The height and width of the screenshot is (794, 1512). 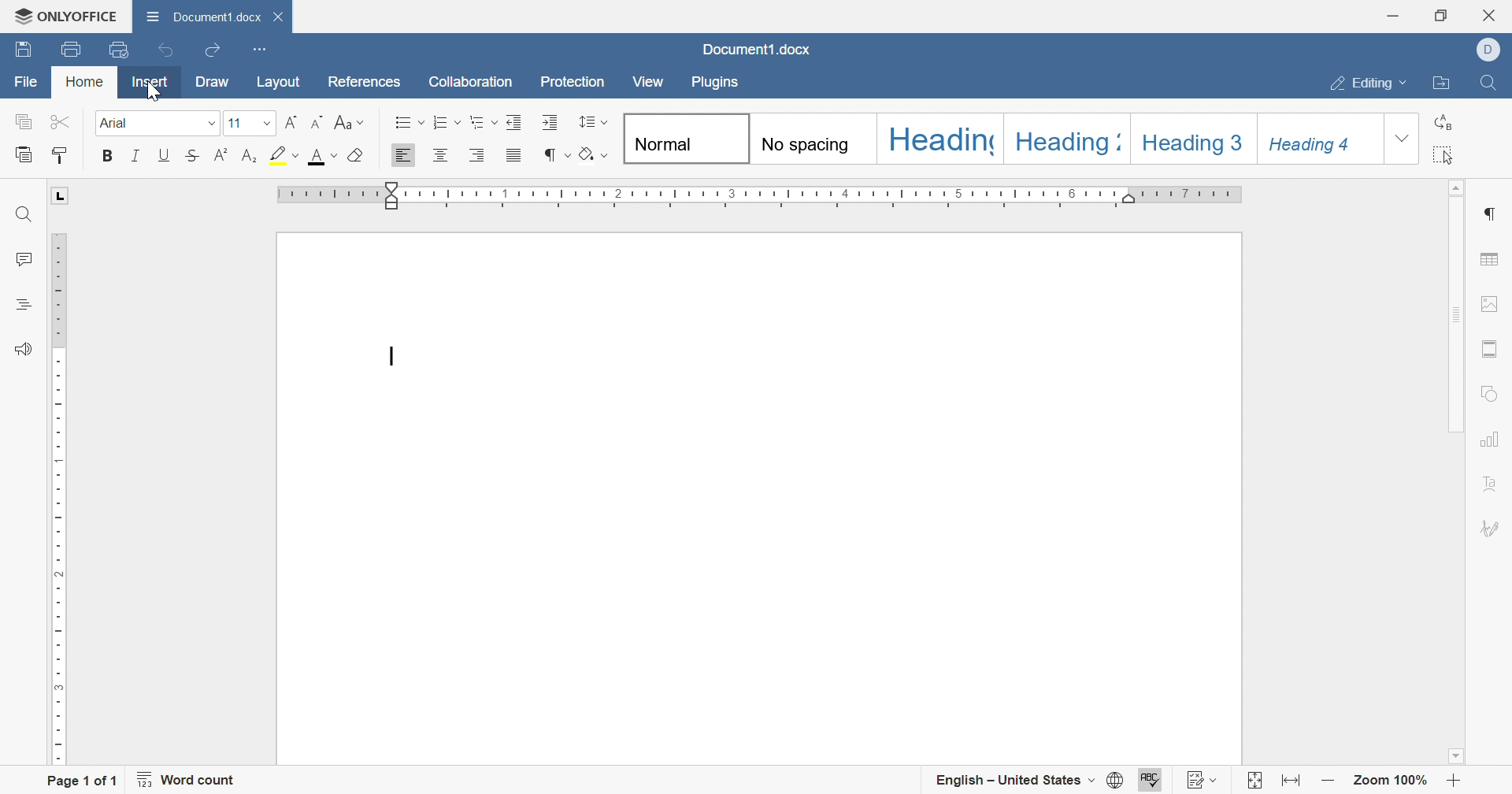 I want to click on Spell checking, so click(x=1151, y=778).